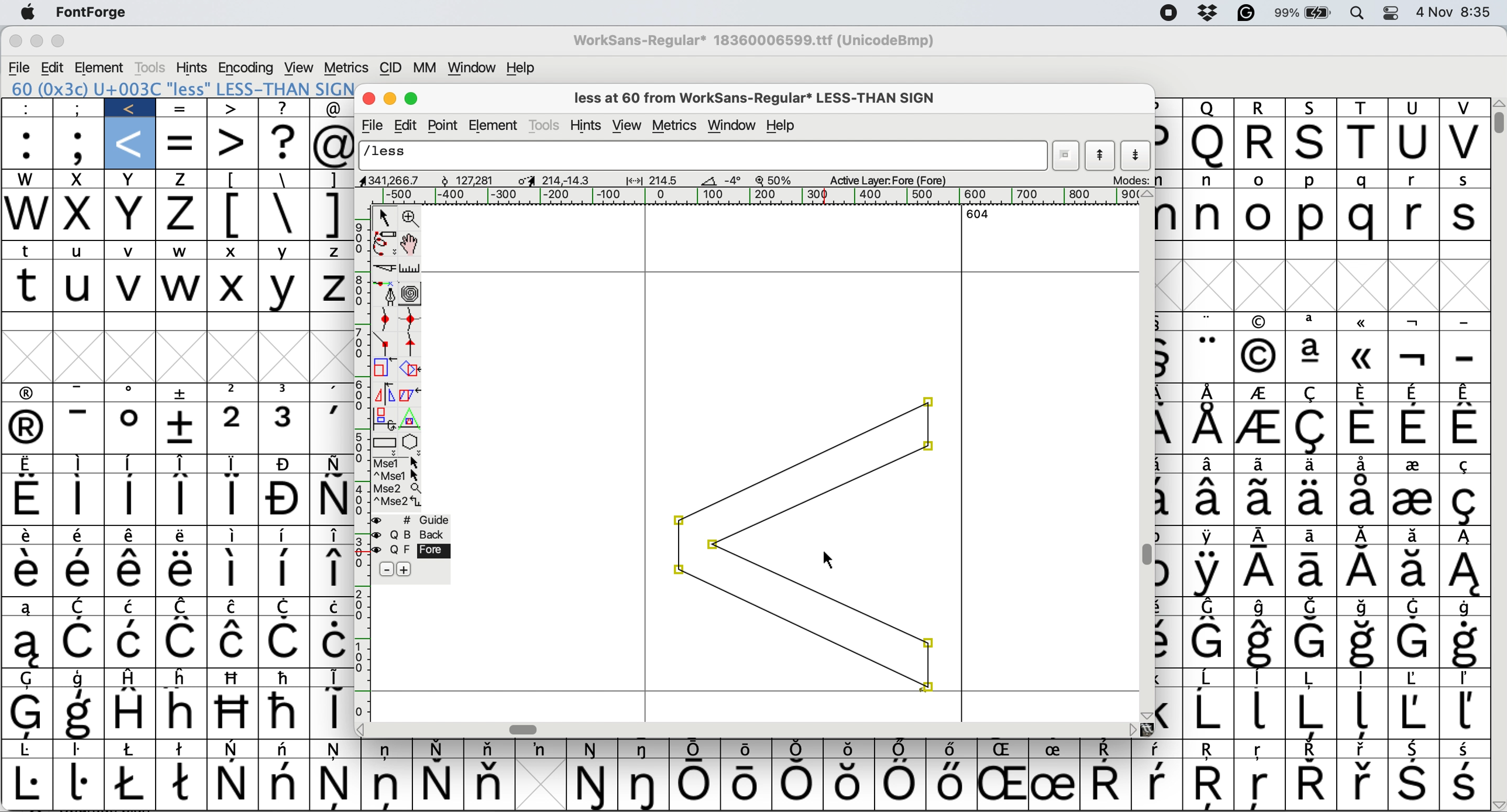 This screenshot has width=1507, height=812. Describe the element at coordinates (335, 108) in the screenshot. I see `@` at that location.